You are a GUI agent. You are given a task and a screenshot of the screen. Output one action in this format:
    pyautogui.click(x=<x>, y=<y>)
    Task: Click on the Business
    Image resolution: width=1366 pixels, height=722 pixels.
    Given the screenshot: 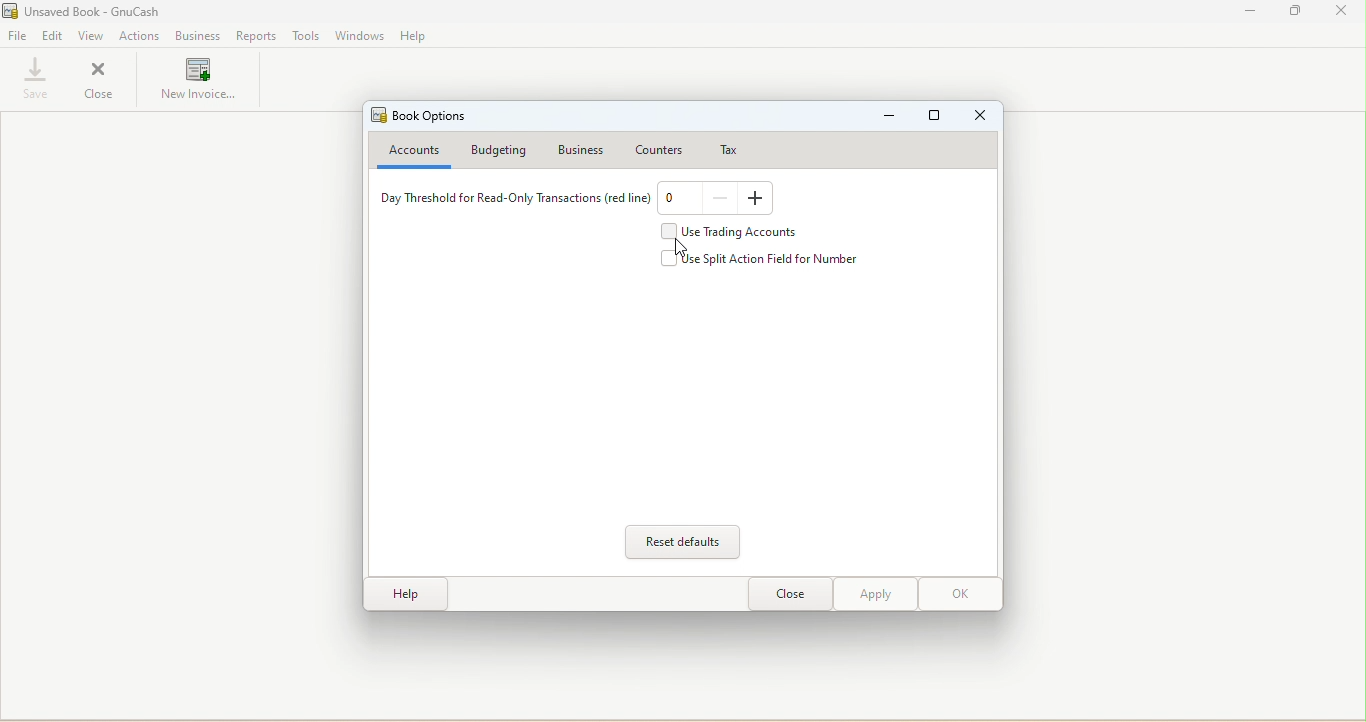 What is the action you would take?
    pyautogui.click(x=198, y=35)
    